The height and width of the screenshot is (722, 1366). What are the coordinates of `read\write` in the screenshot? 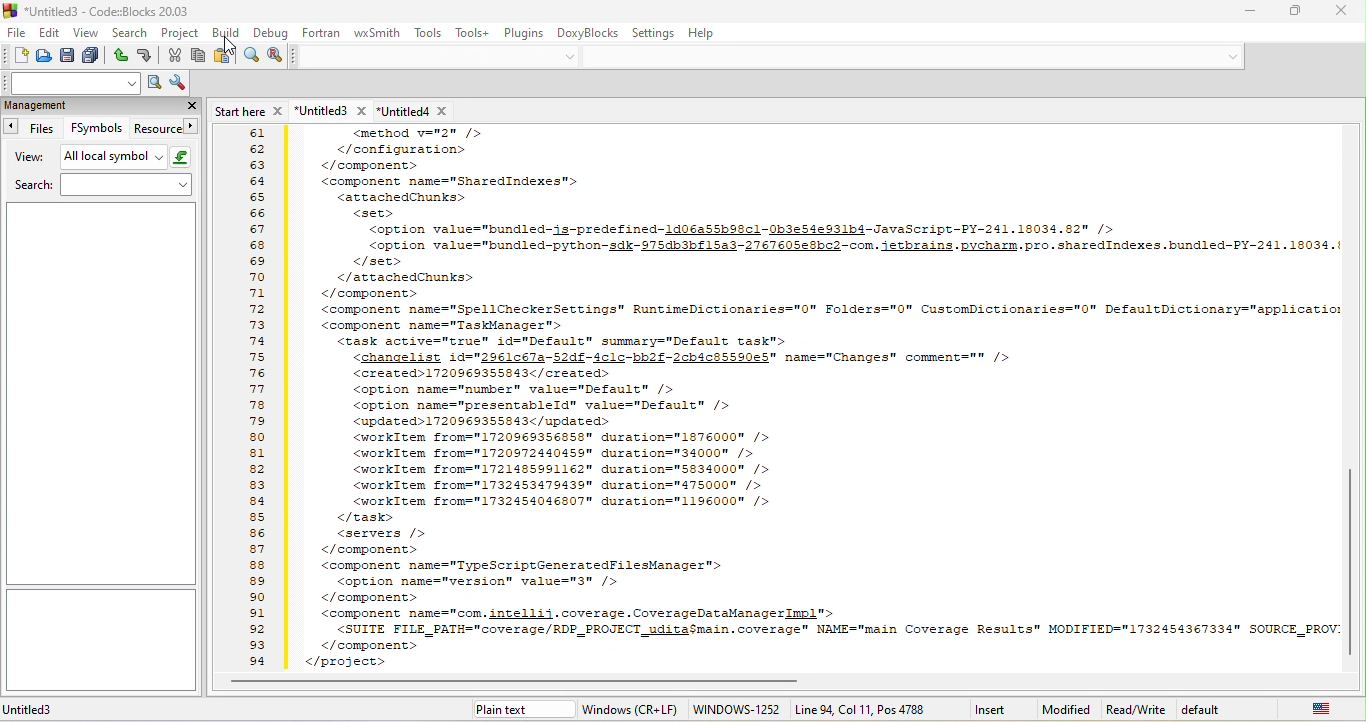 It's located at (1136, 708).